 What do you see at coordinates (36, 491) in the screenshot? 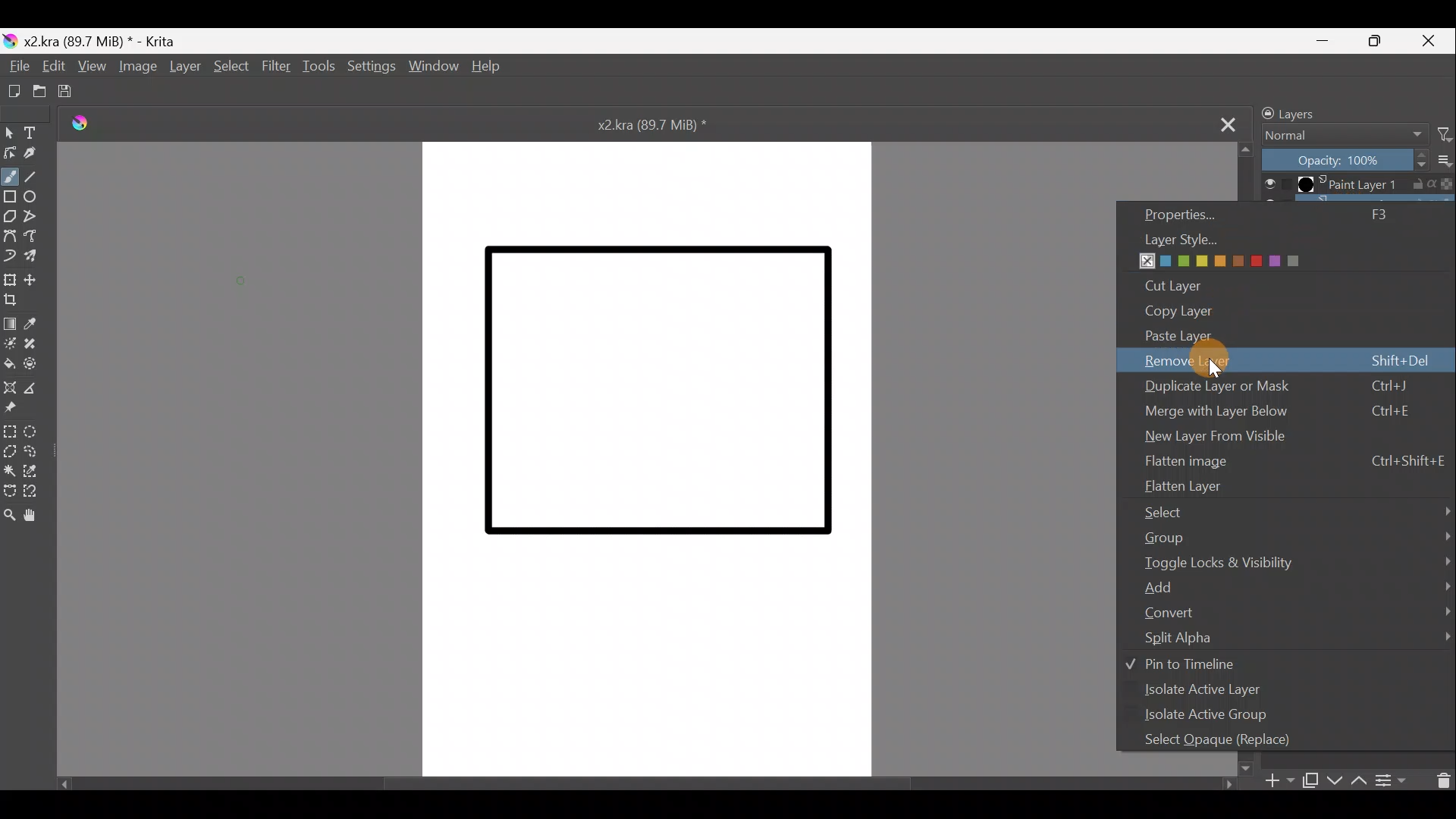
I see `Magnetic curve selection tool` at bounding box center [36, 491].